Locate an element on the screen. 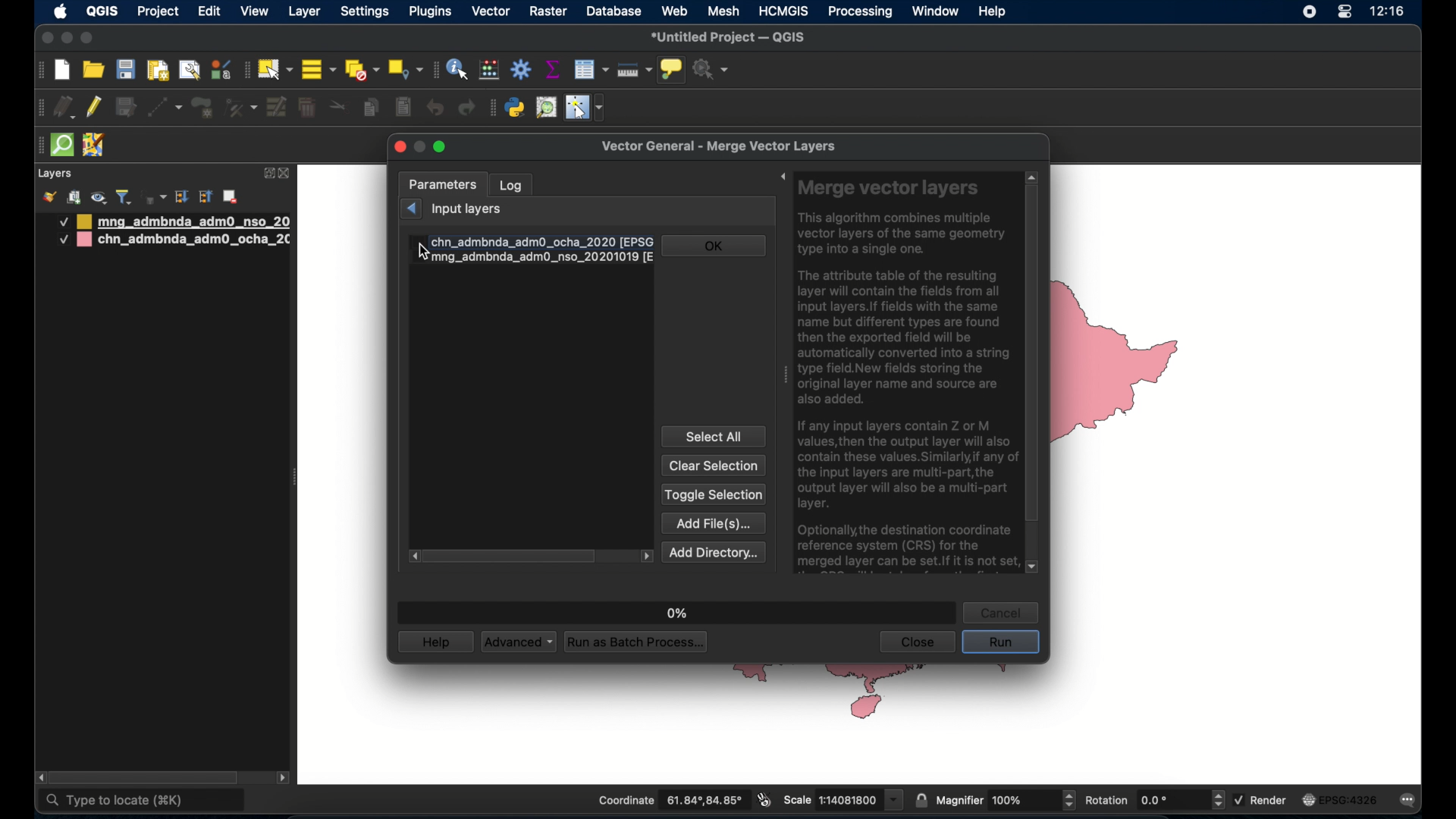 The height and width of the screenshot is (819, 1456). expand is located at coordinates (268, 172).